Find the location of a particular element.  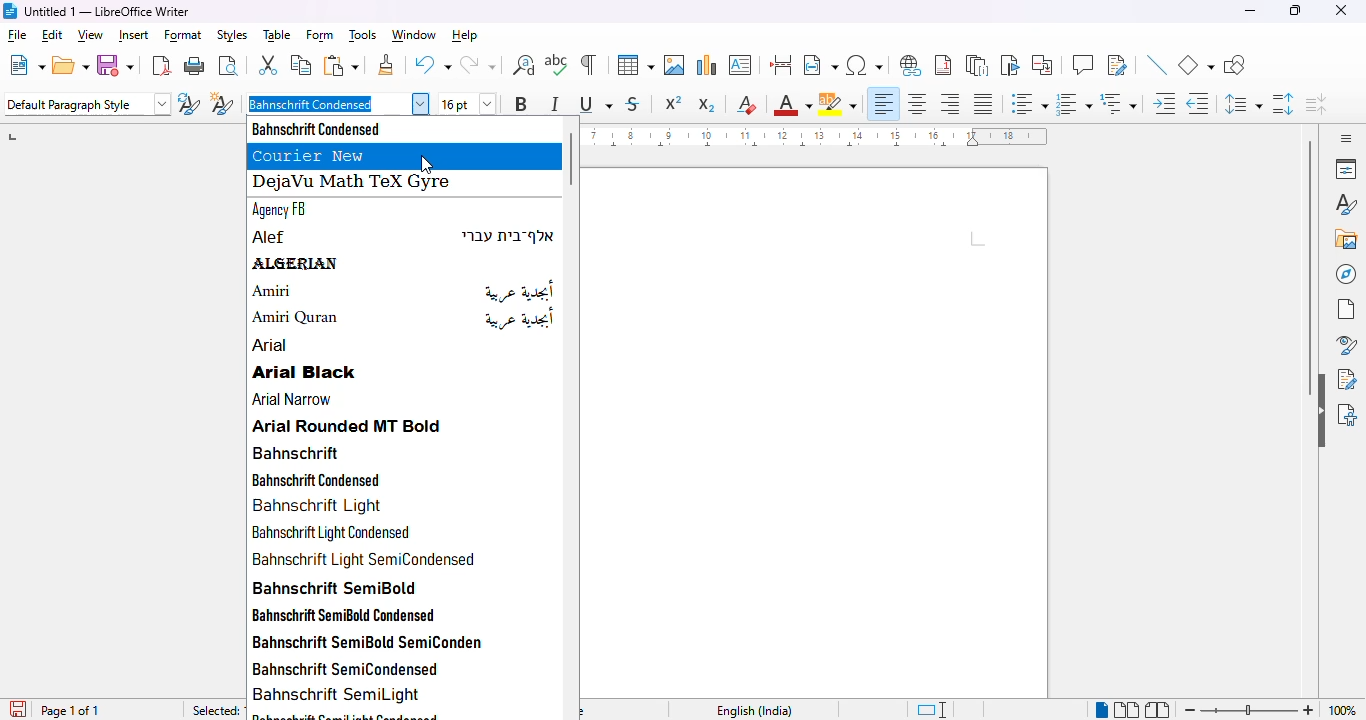

show draw functions is located at coordinates (1233, 65).